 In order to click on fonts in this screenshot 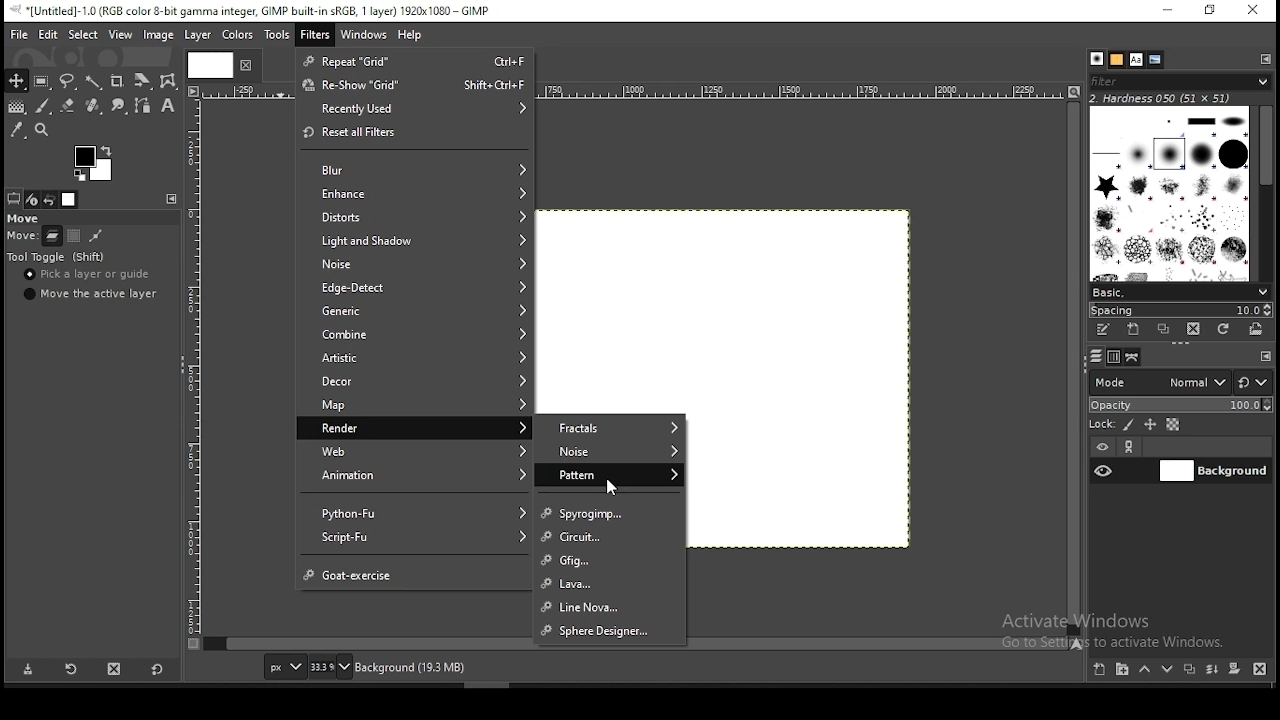, I will do `click(1136, 59)`.